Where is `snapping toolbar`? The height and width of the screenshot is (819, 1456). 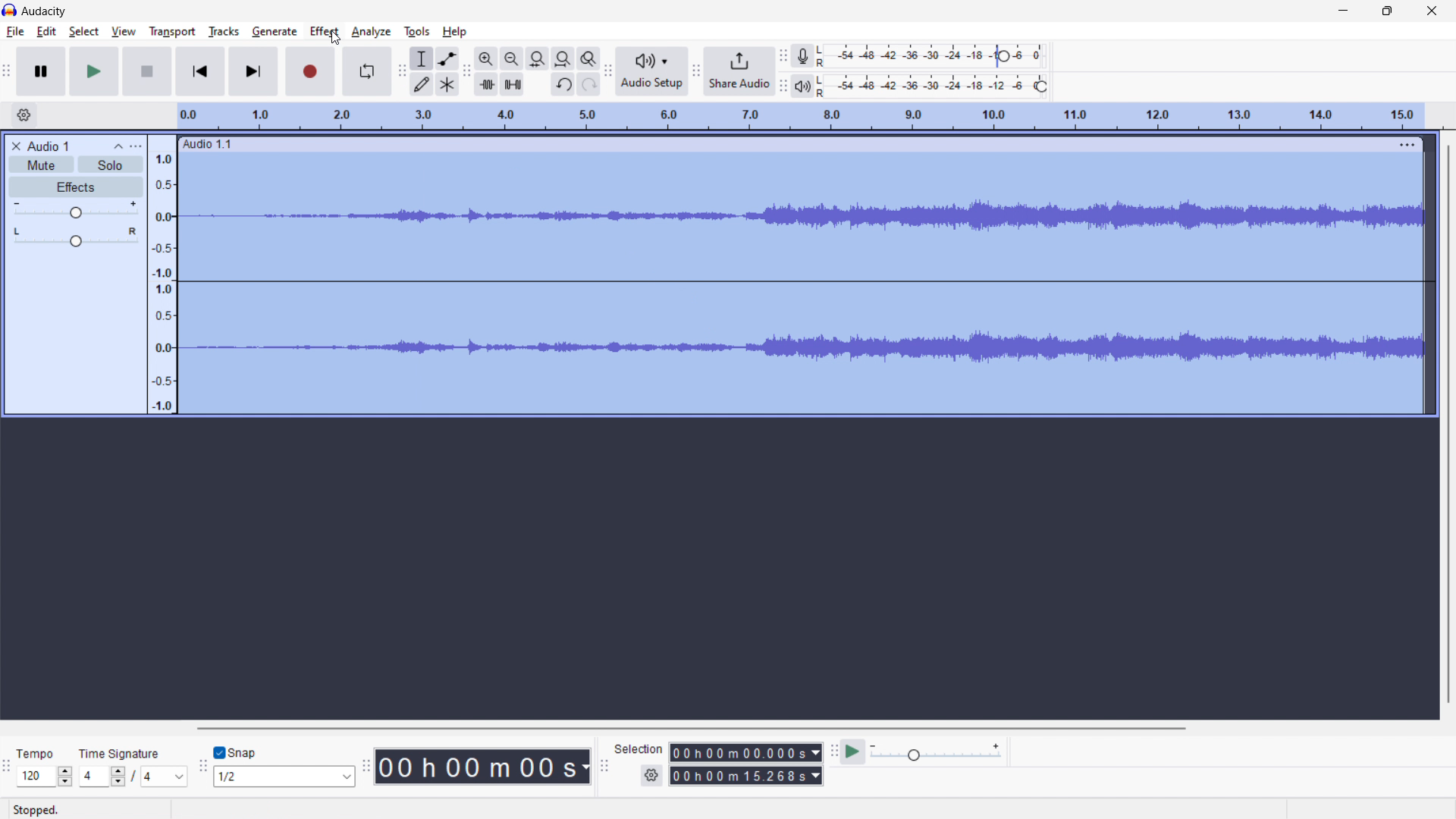
snapping toolbar is located at coordinates (203, 764).